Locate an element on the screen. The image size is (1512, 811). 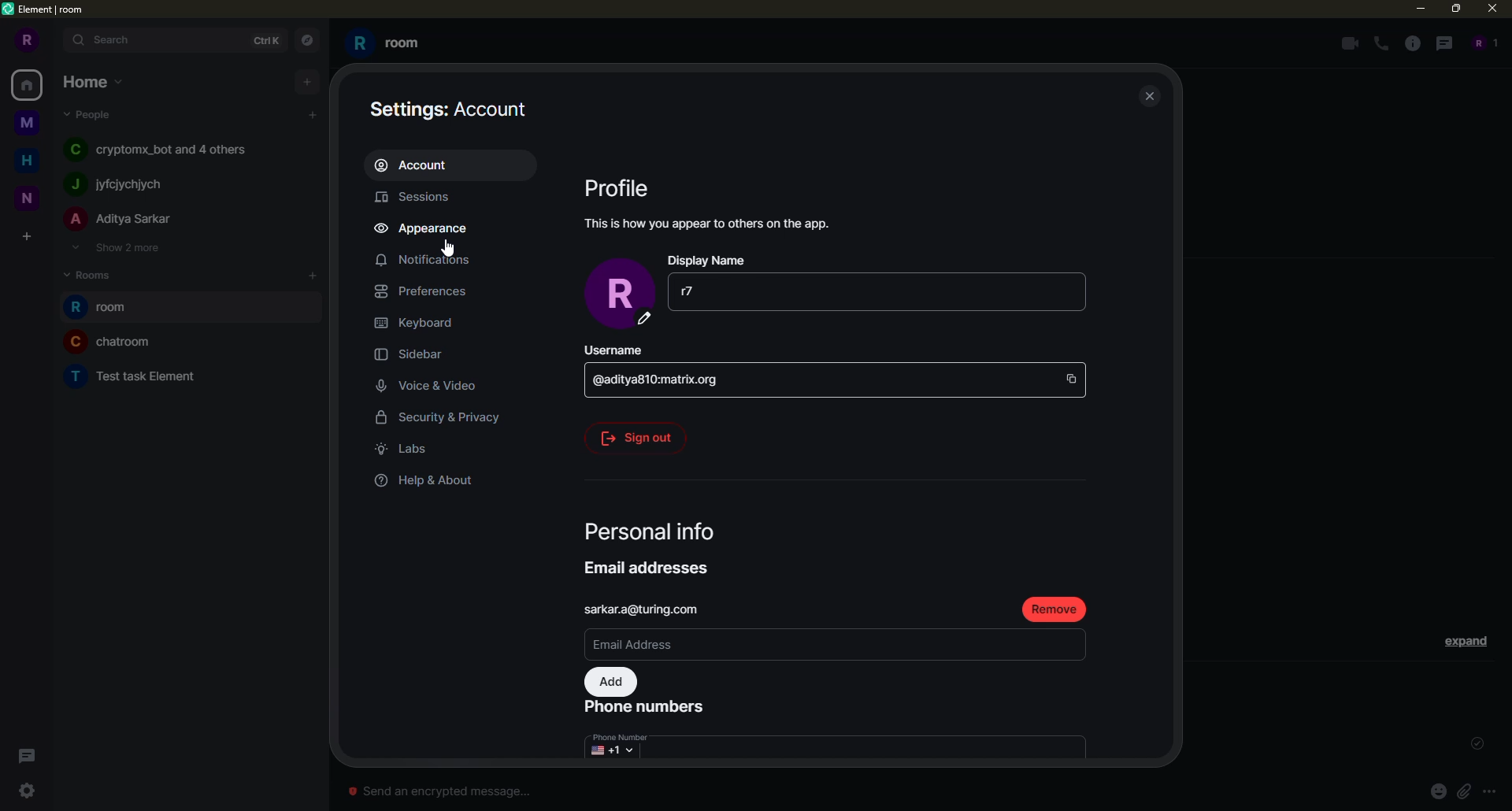
info is located at coordinates (1413, 43).